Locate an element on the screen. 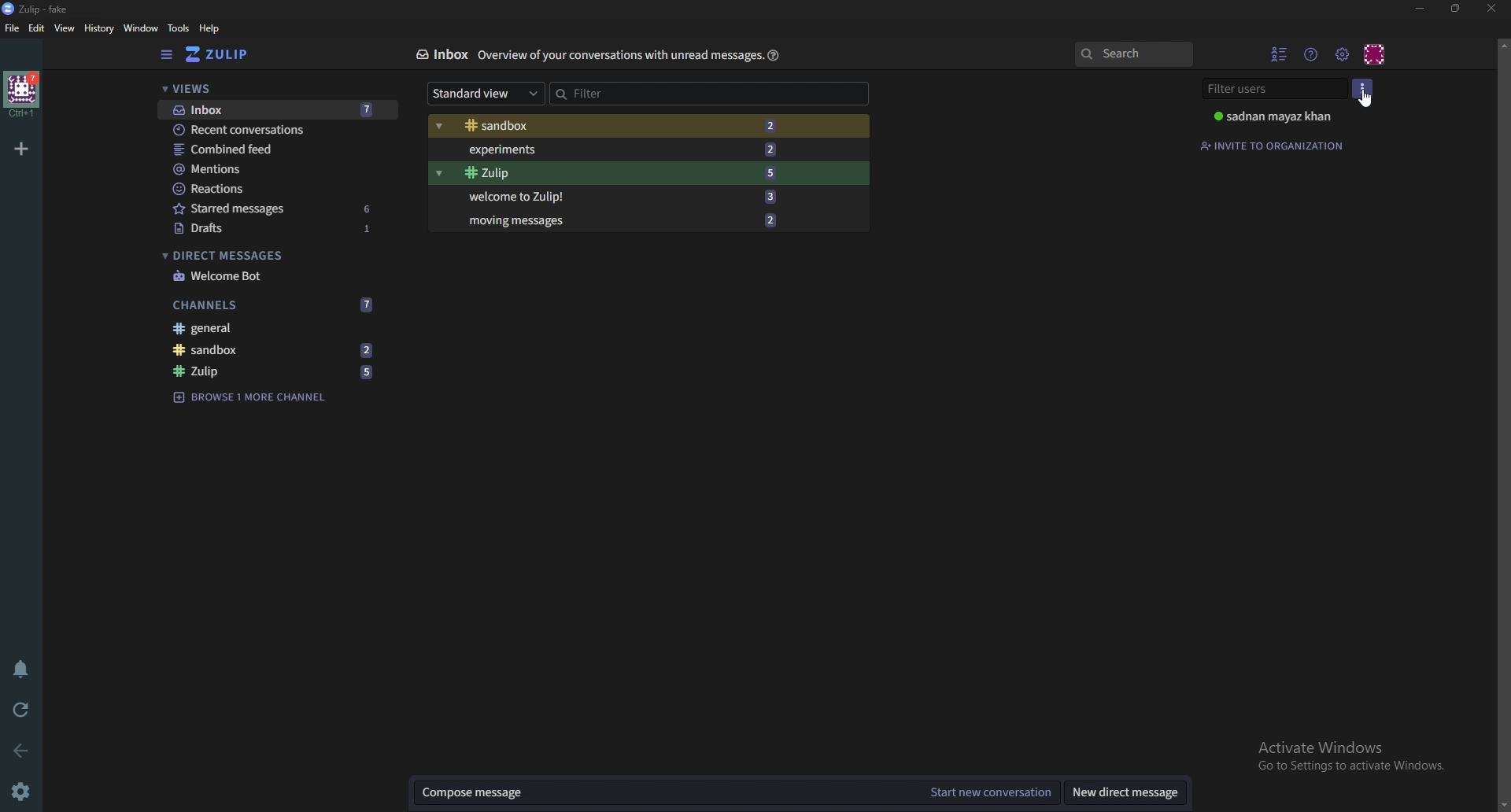  User is located at coordinates (1274, 116).